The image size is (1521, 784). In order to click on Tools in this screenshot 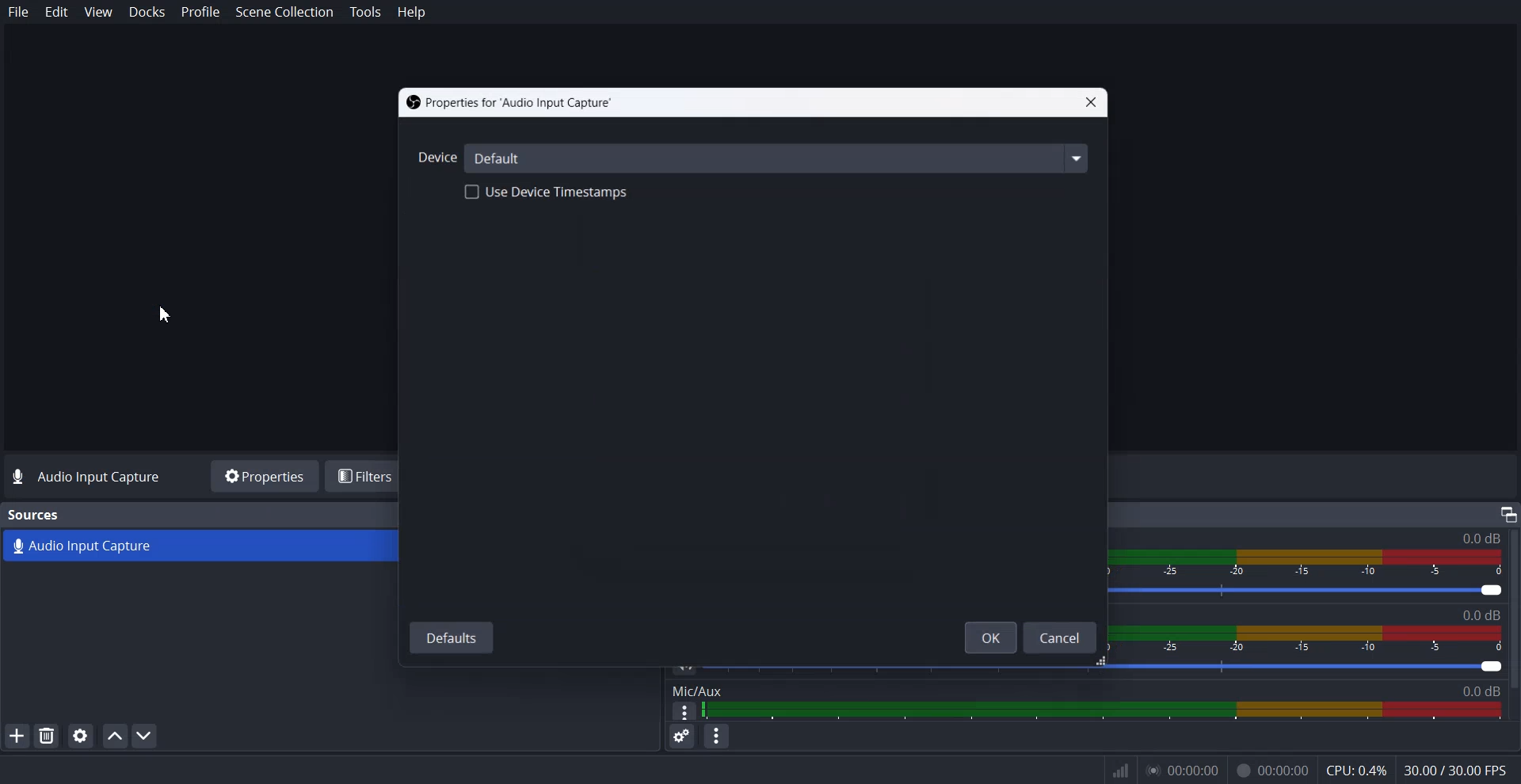, I will do `click(367, 13)`.